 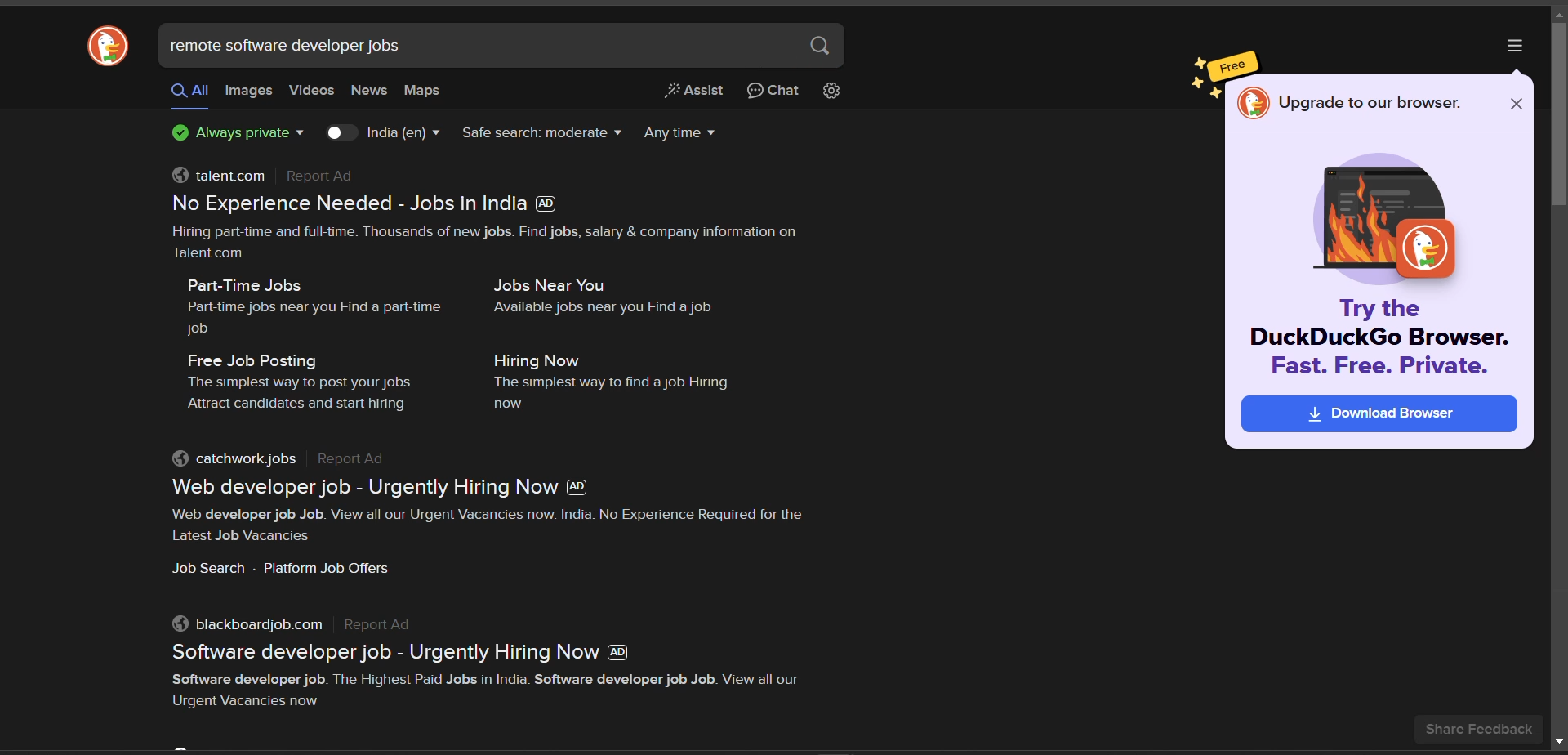 I want to click on No Experience Needed - Jobs in India, so click(x=367, y=205).